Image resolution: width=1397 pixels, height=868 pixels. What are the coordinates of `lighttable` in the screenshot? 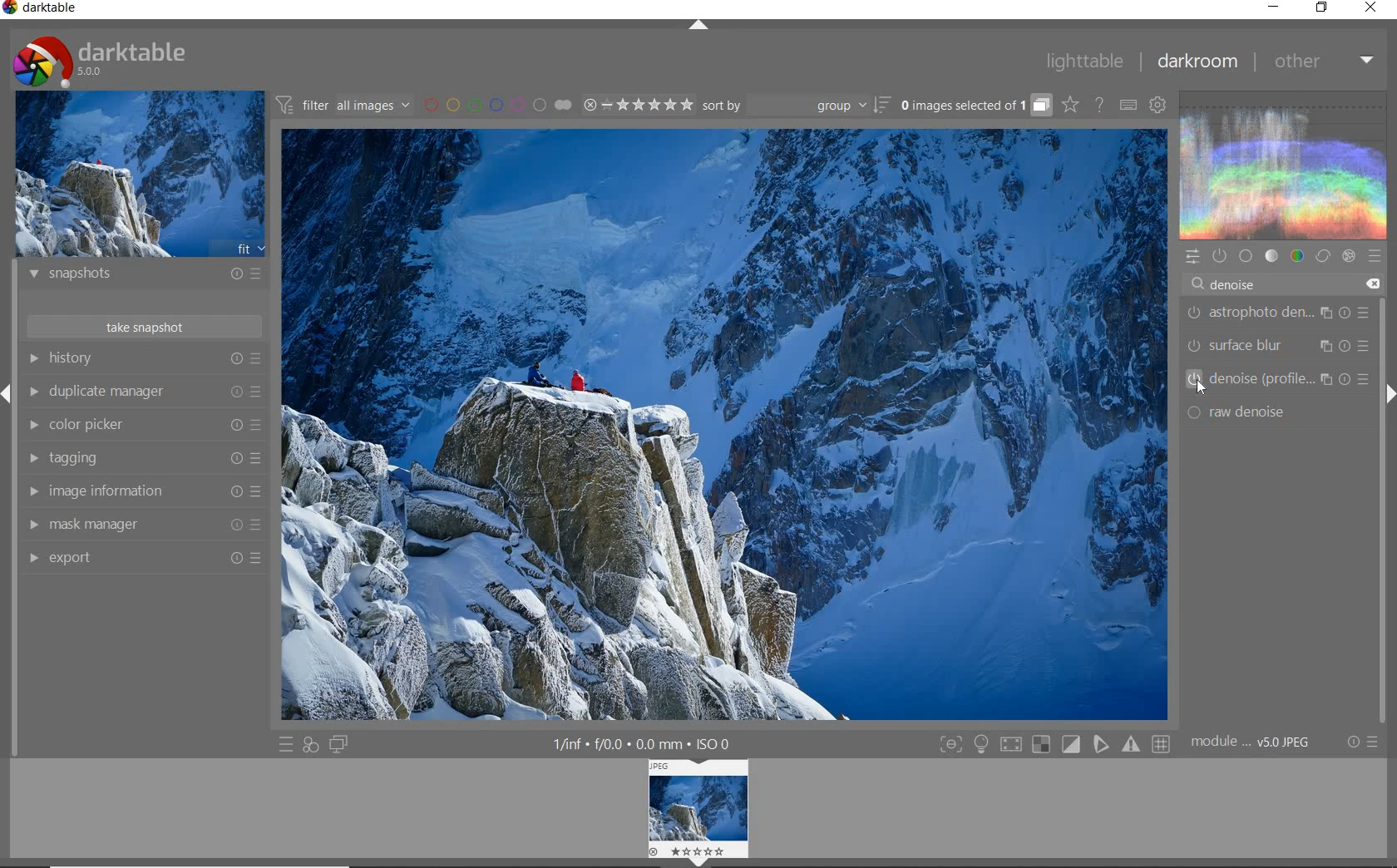 It's located at (1085, 60).